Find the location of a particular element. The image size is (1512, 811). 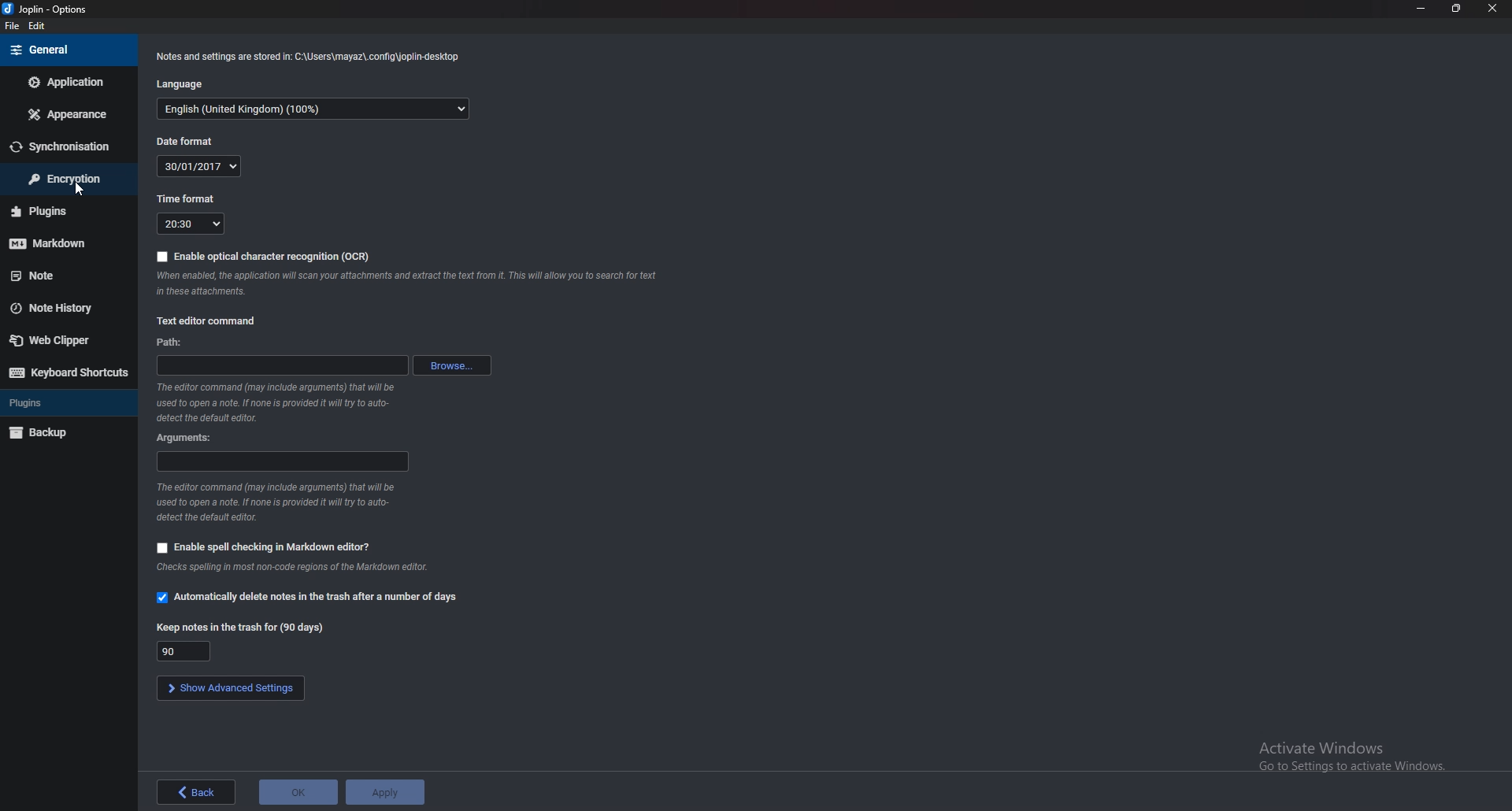

edit is located at coordinates (39, 24).